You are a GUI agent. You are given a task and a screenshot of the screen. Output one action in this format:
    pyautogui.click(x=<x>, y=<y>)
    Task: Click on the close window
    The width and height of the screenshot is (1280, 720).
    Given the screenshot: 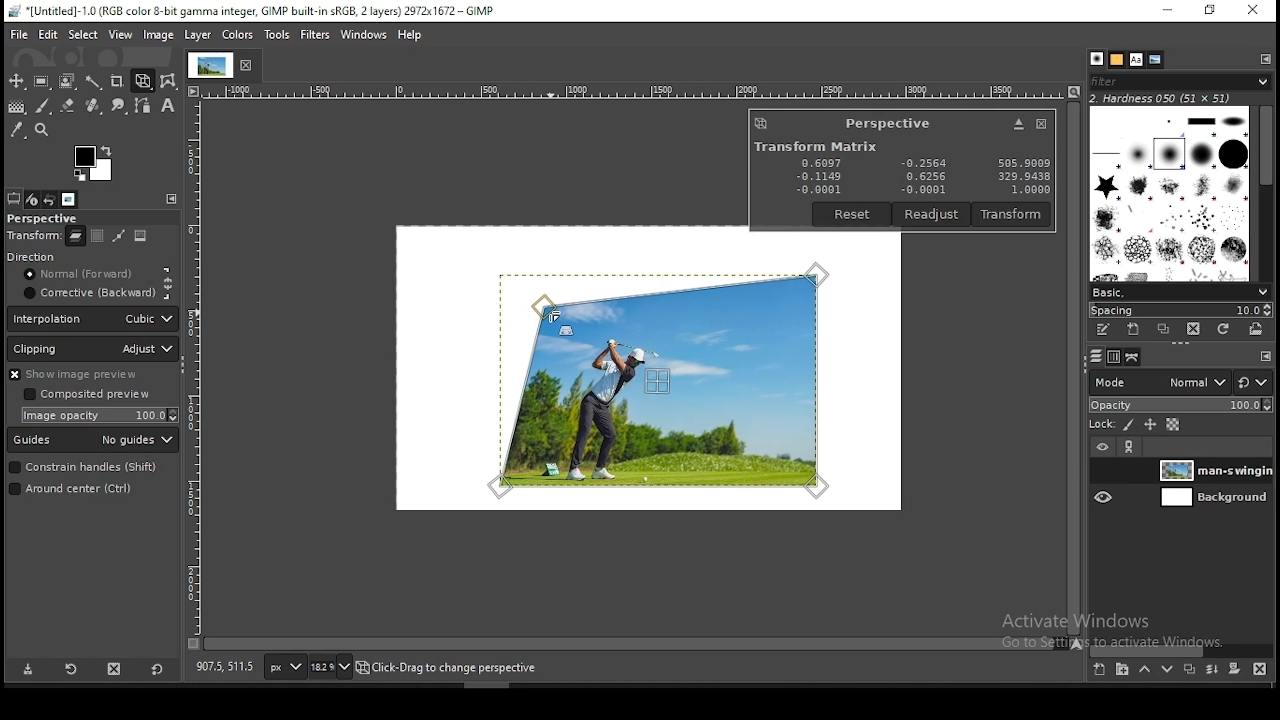 What is the action you would take?
    pyautogui.click(x=1254, y=11)
    